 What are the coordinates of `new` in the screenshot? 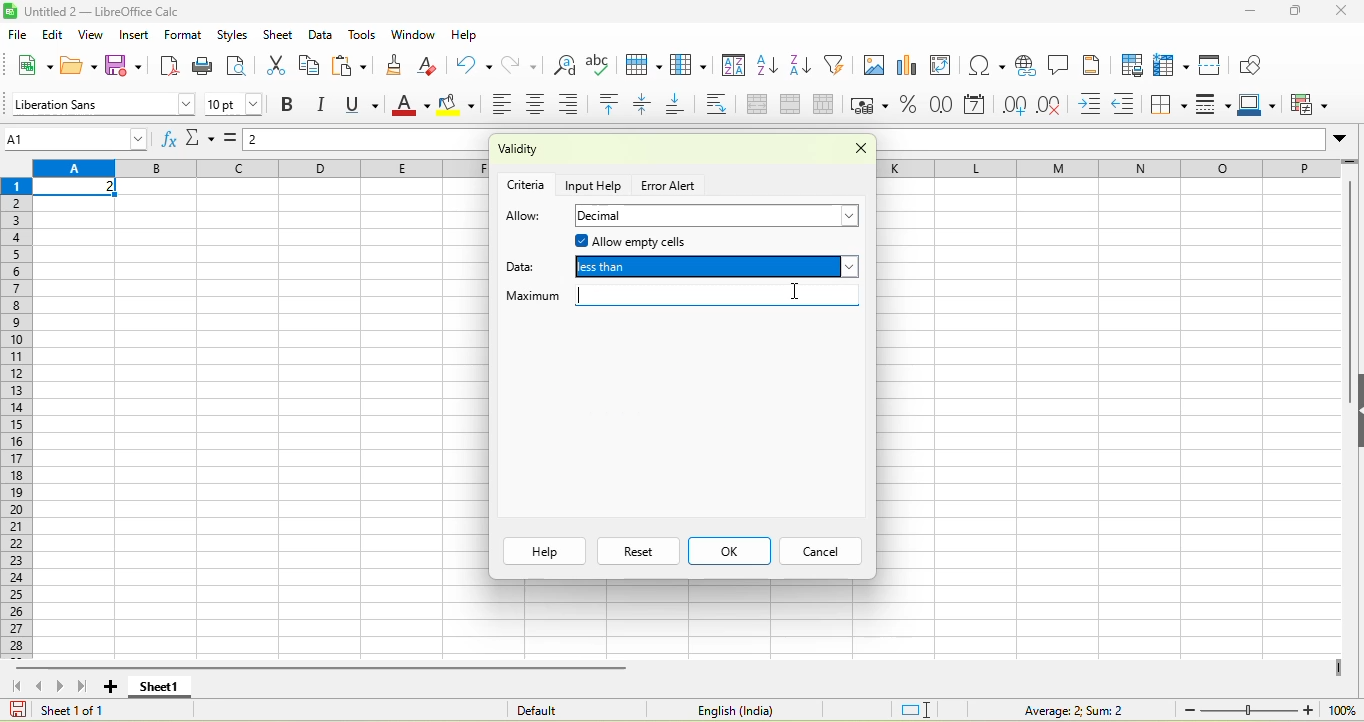 It's located at (33, 64).